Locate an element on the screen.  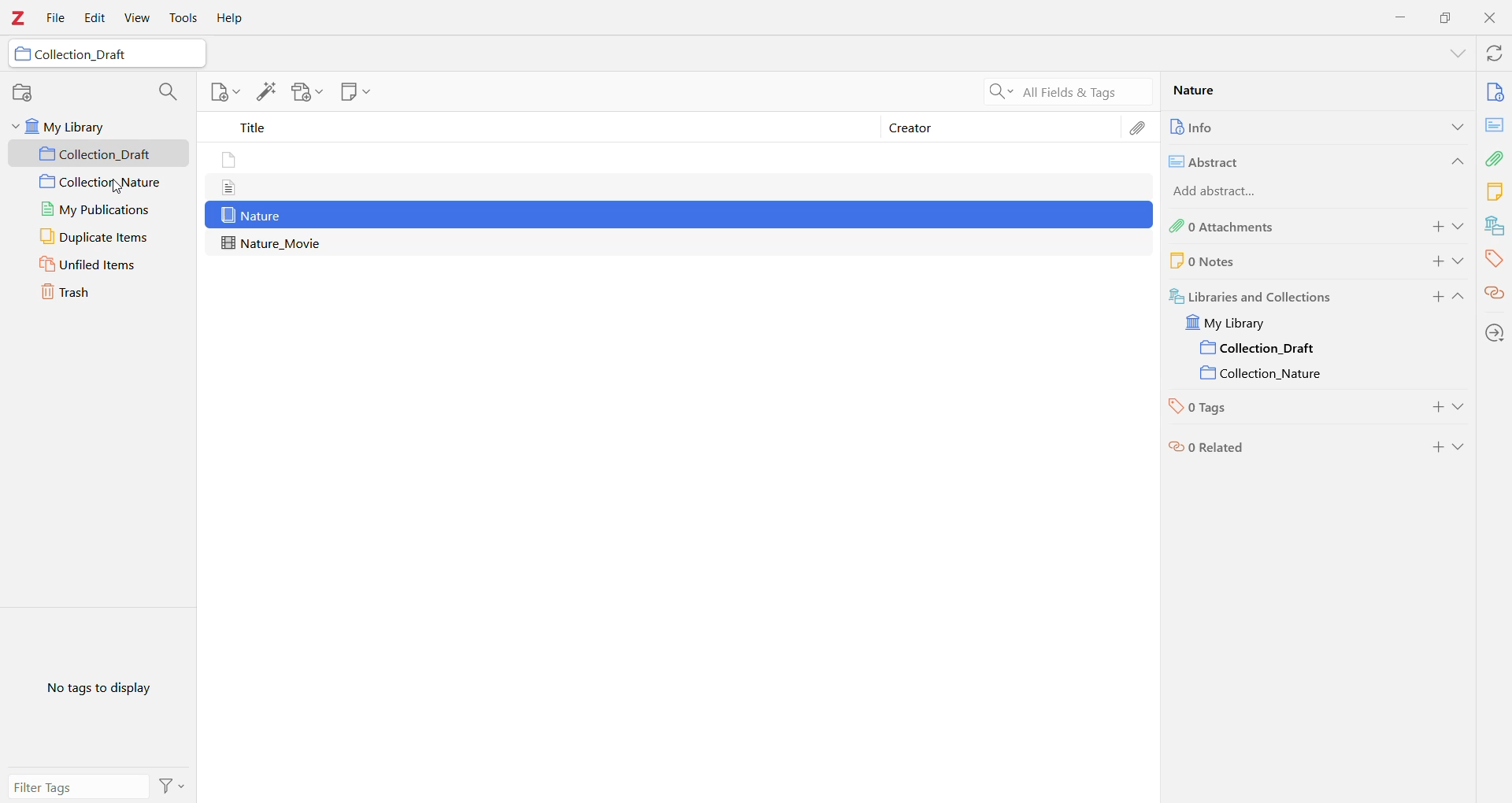
Libraries and Collections is located at coordinates (1493, 226).